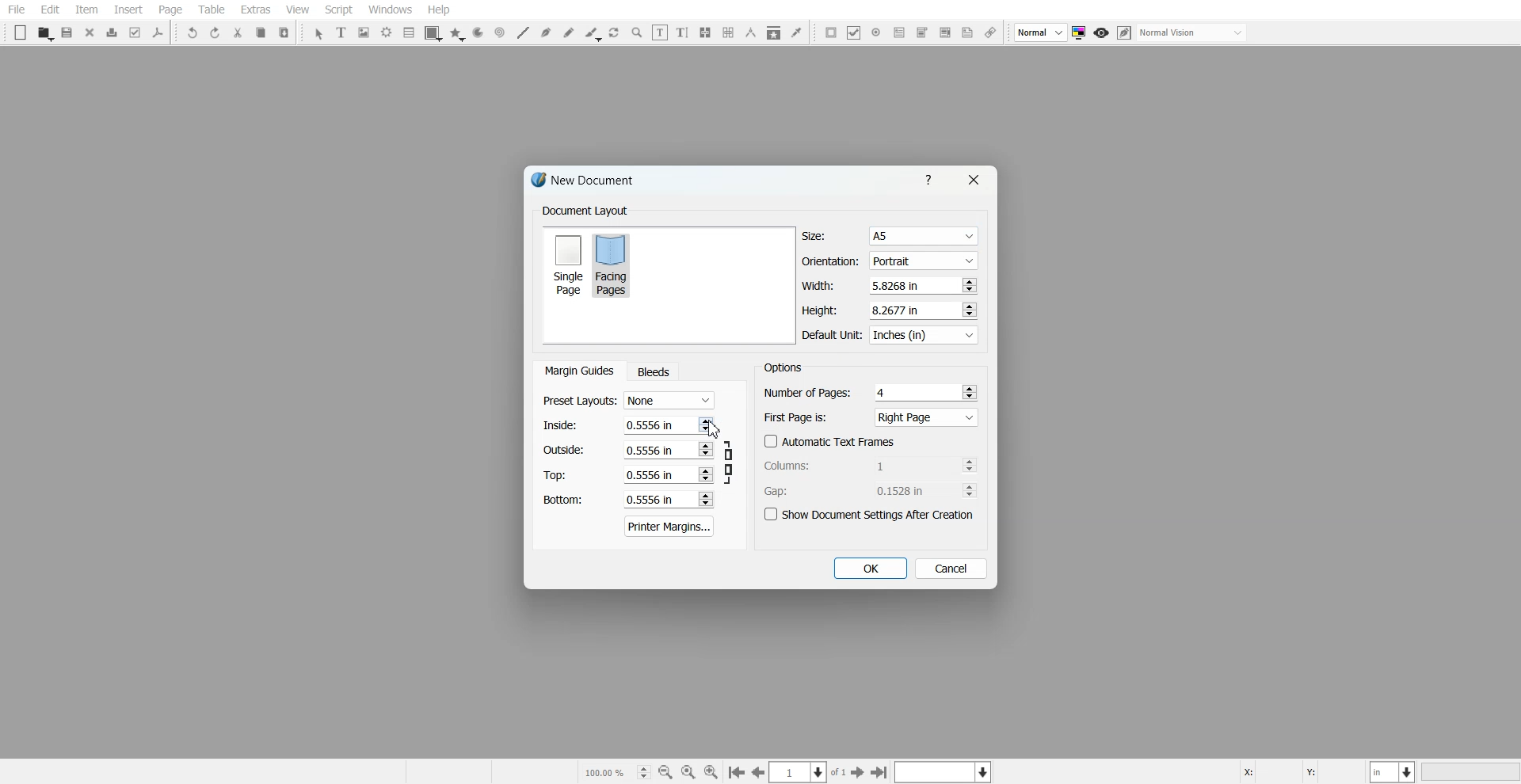 The width and height of the screenshot is (1521, 784). Describe the element at coordinates (881, 772) in the screenshot. I see `Go to the first page` at that location.